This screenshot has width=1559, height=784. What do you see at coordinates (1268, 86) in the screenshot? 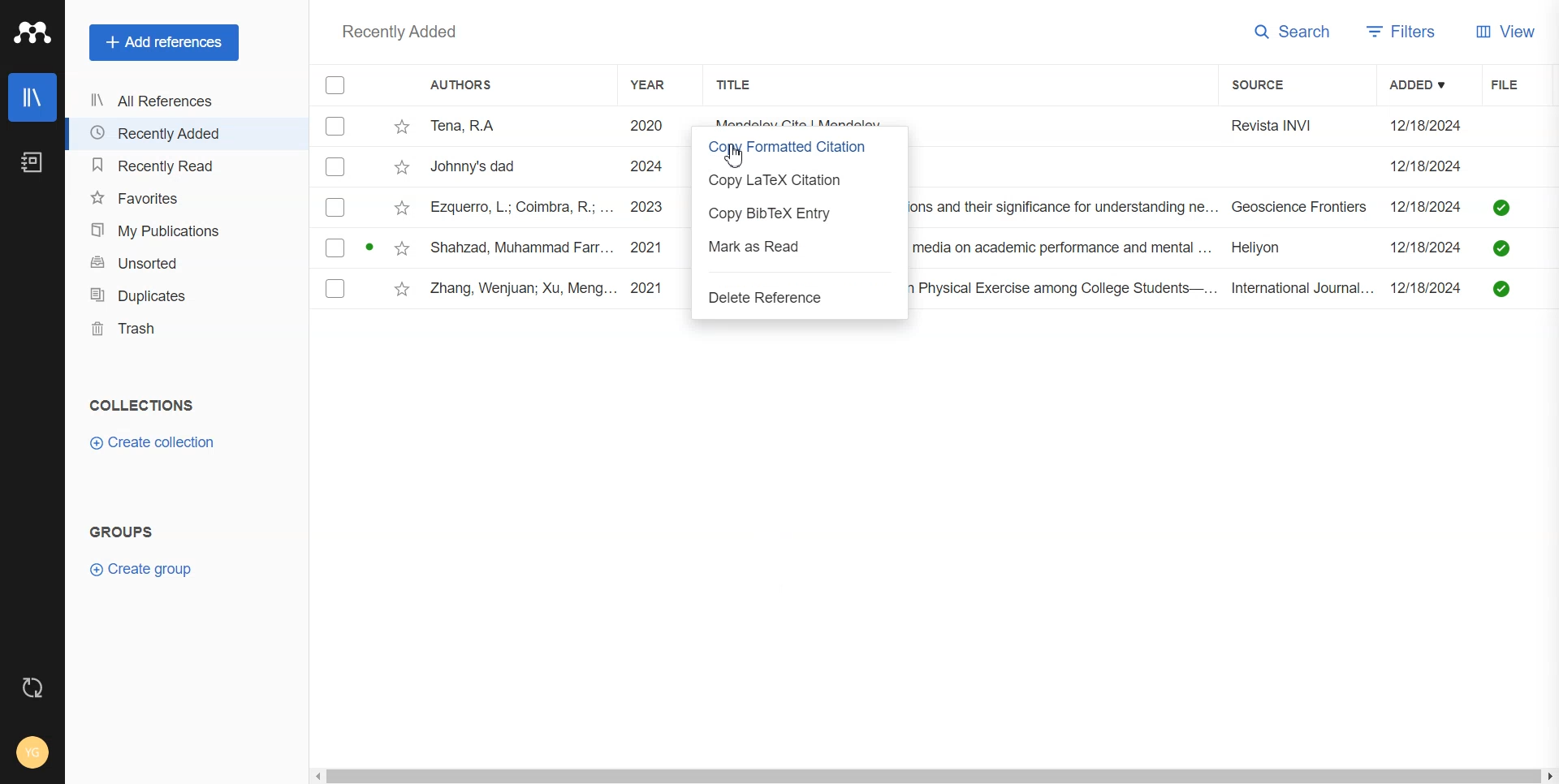
I see `Source` at bounding box center [1268, 86].